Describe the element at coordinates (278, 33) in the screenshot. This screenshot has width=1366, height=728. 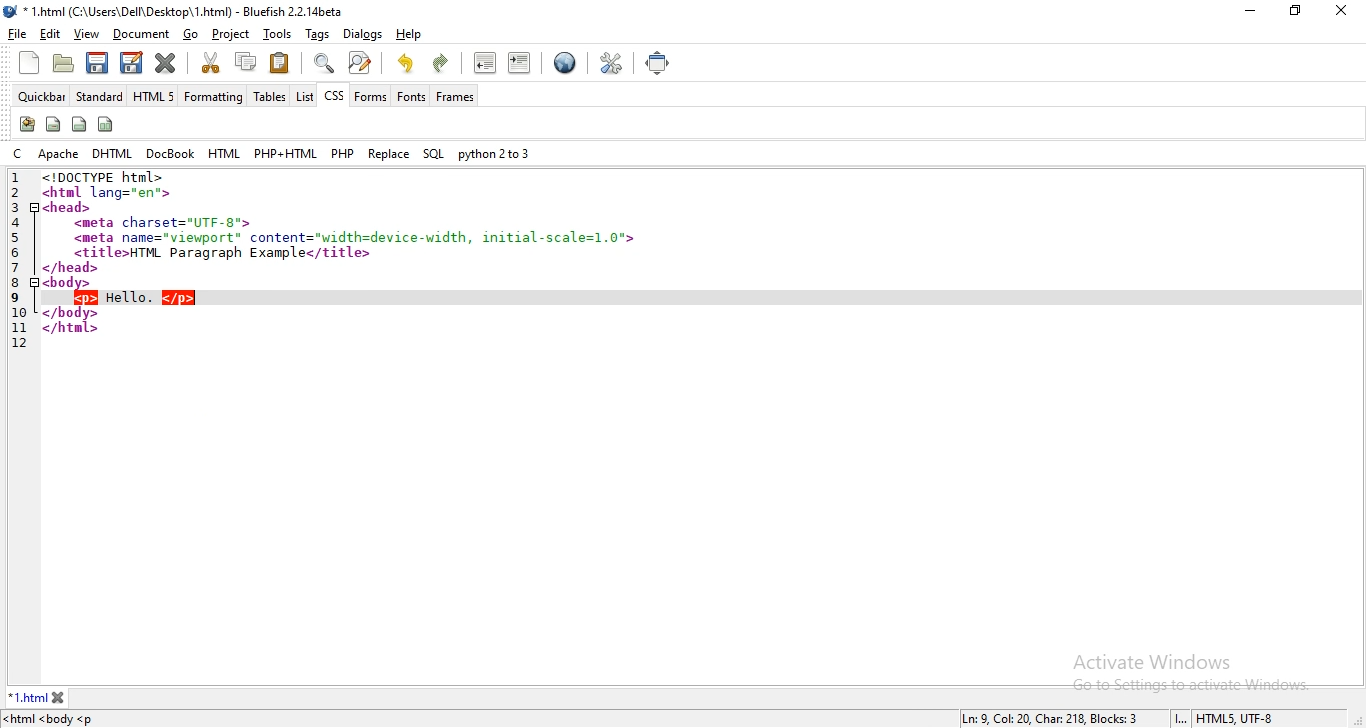
I see `tools` at that location.